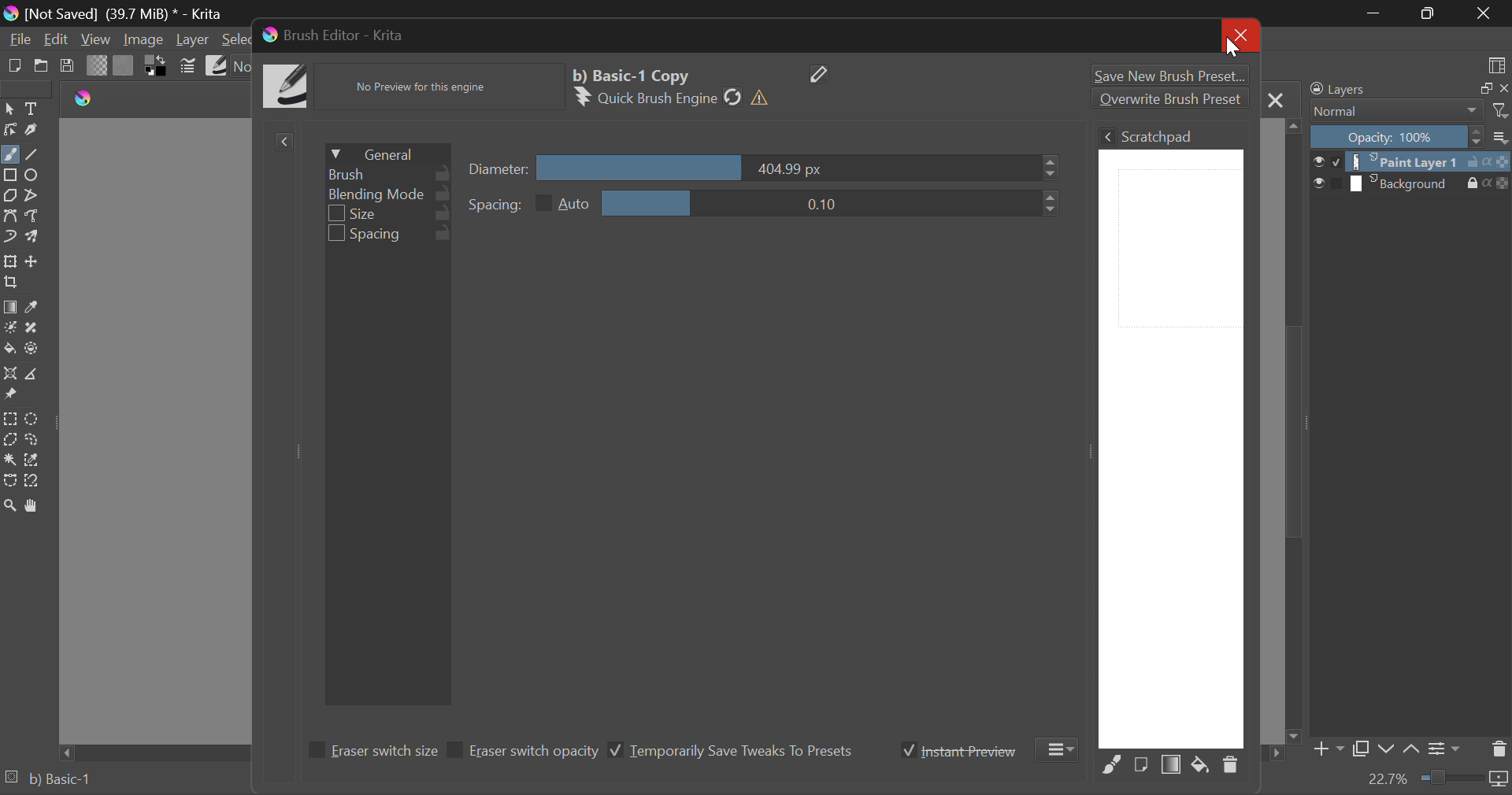  I want to click on Diameter Slider, so click(766, 168).